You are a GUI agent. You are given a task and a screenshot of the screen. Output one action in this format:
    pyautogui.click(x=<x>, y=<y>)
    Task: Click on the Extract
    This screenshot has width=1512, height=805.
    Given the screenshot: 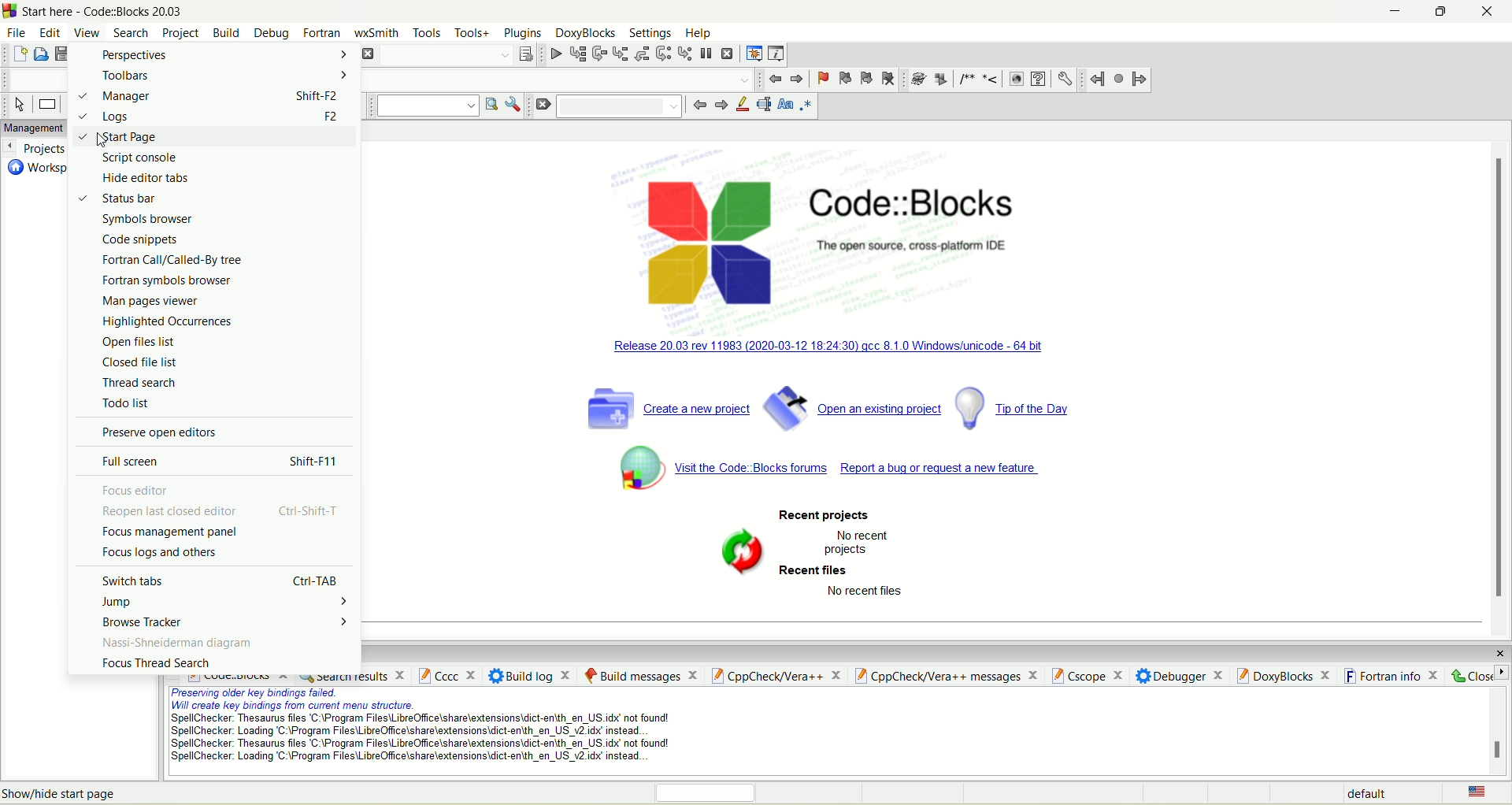 What is the action you would take?
    pyautogui.click(x=939, y=80)
    